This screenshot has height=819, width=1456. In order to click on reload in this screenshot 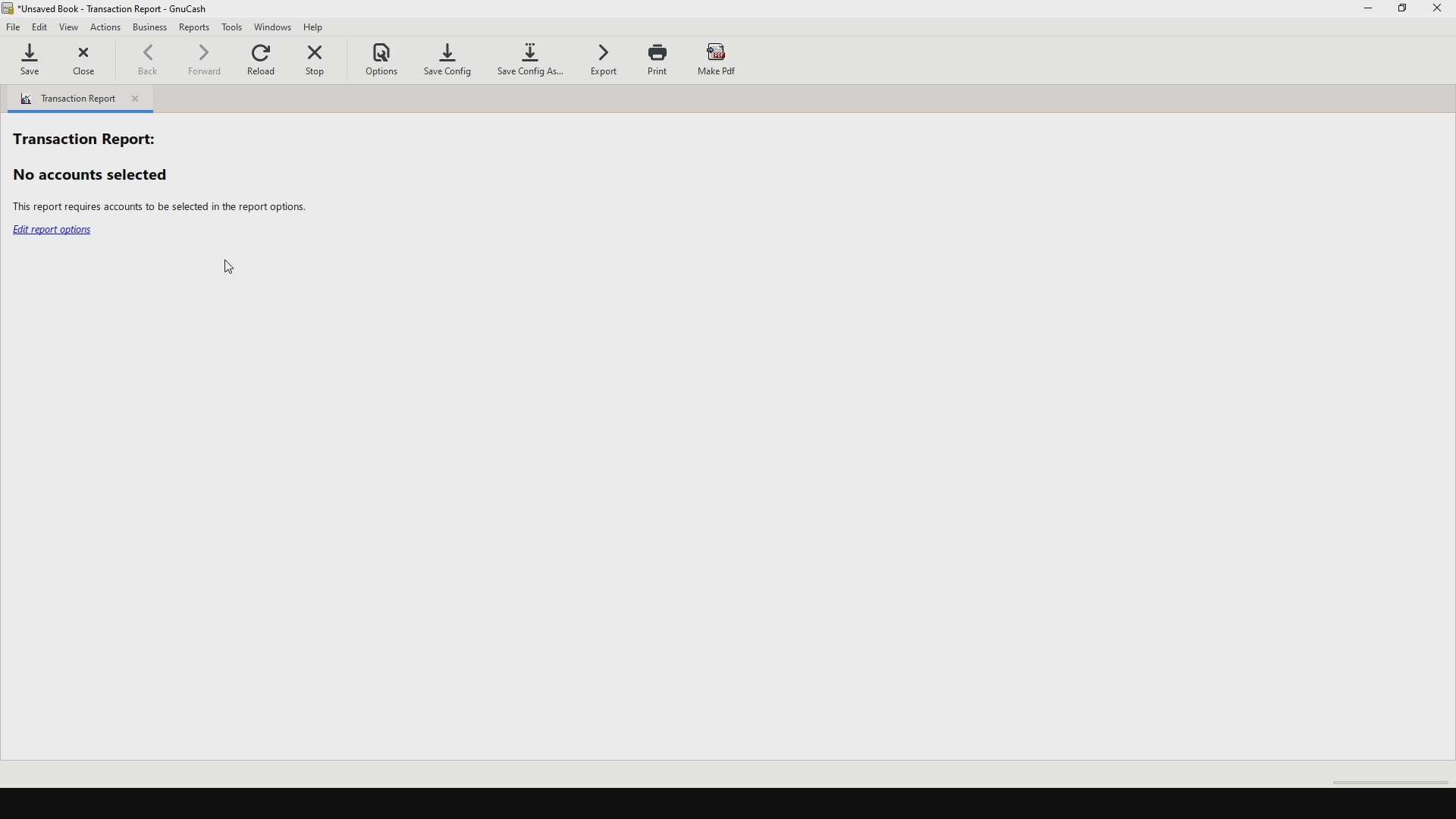, I will do `click(264, 62)`.